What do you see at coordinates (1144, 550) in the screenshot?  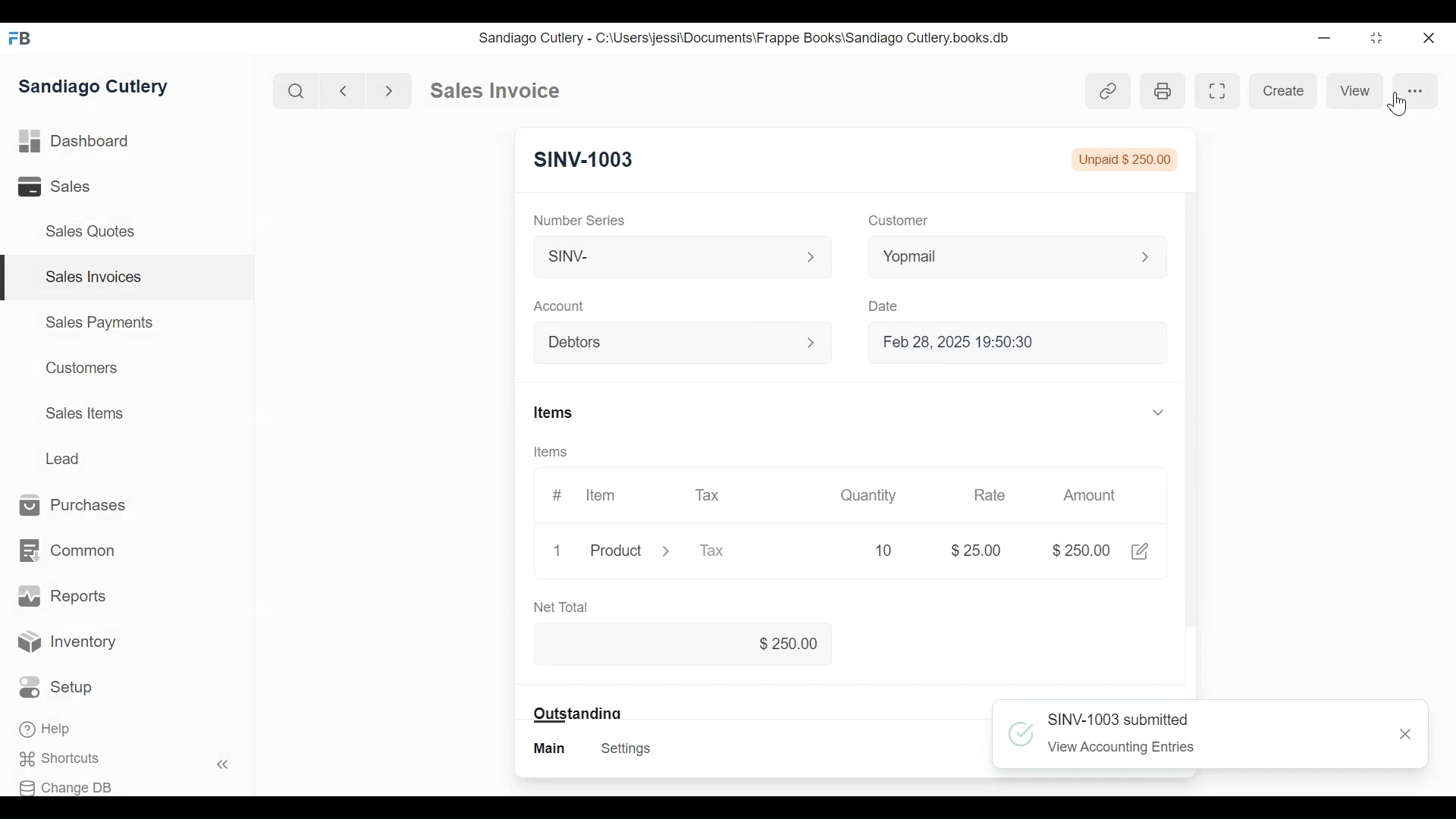 I see `share` at bounding box center [1144, 550].